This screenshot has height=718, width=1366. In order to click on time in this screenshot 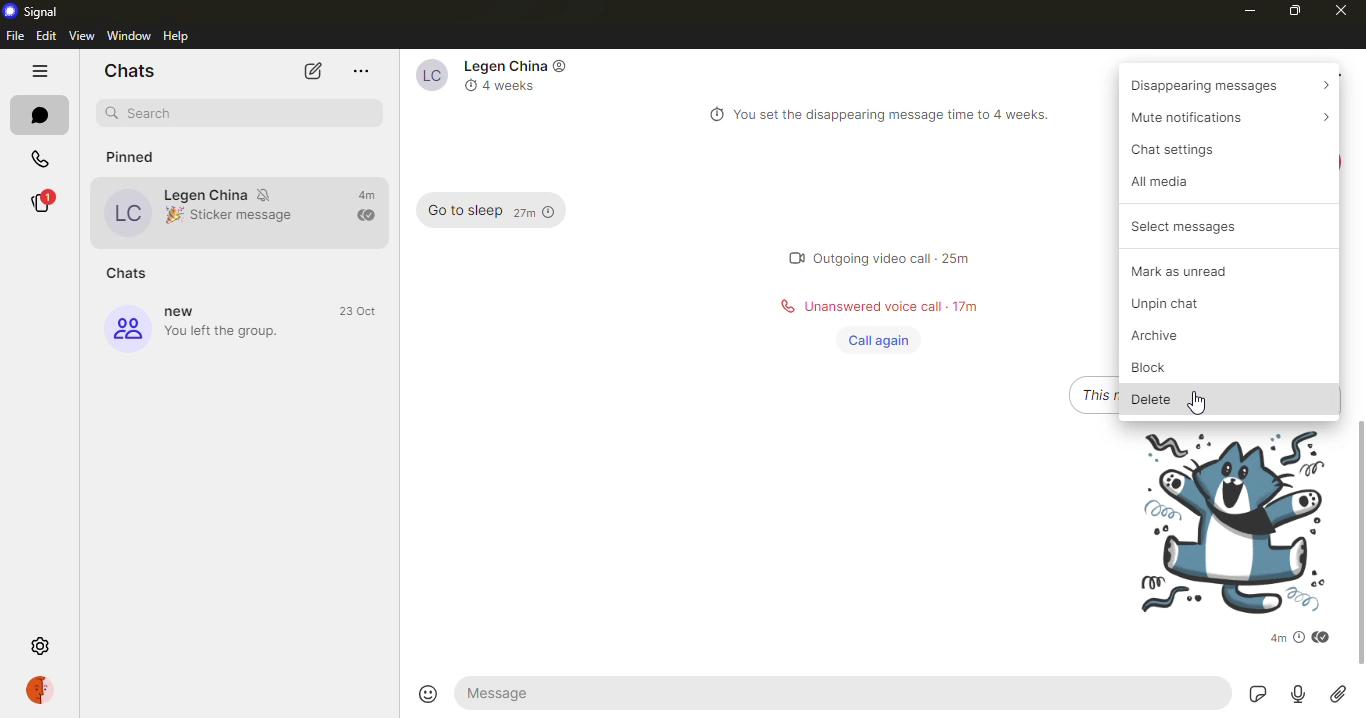, I will do `click(533, 211)`.